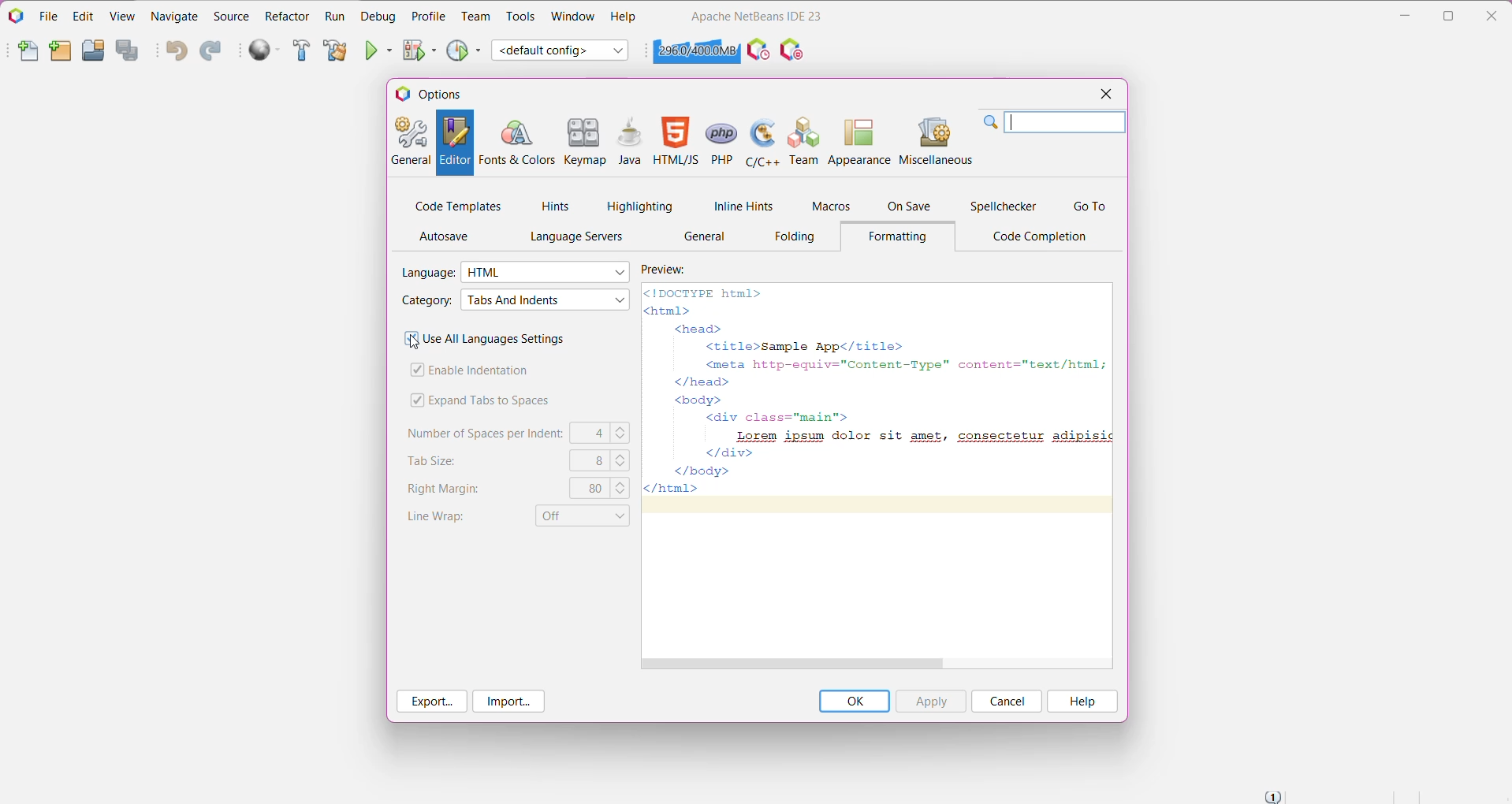  Describe the element at coordinates (593, 434) in the screenshot. I see `C4` at that location.